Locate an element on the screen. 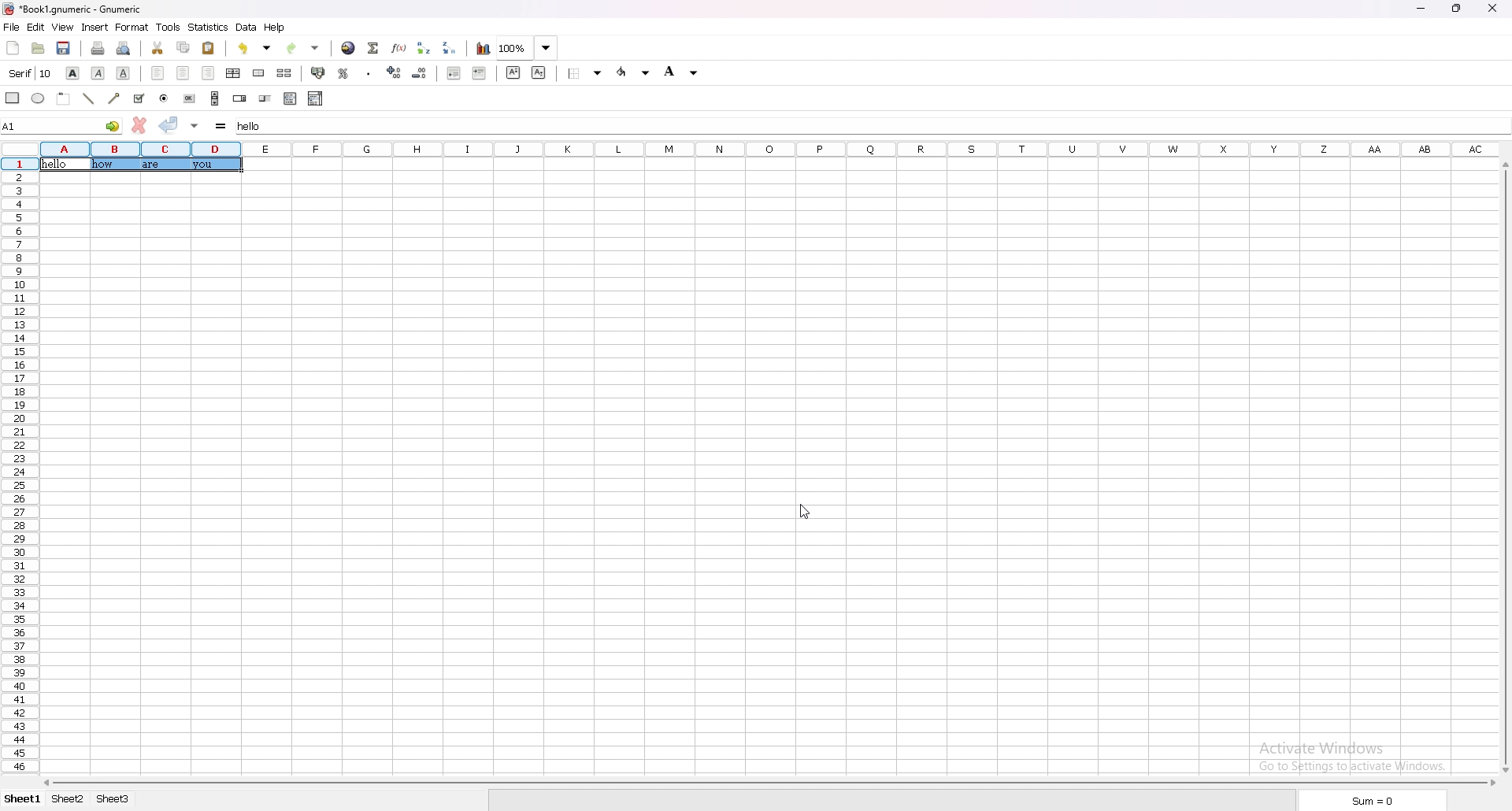 Image resolution: width=1512 pixels, height=811 pixels. insert is located at coordinates (96, 26).